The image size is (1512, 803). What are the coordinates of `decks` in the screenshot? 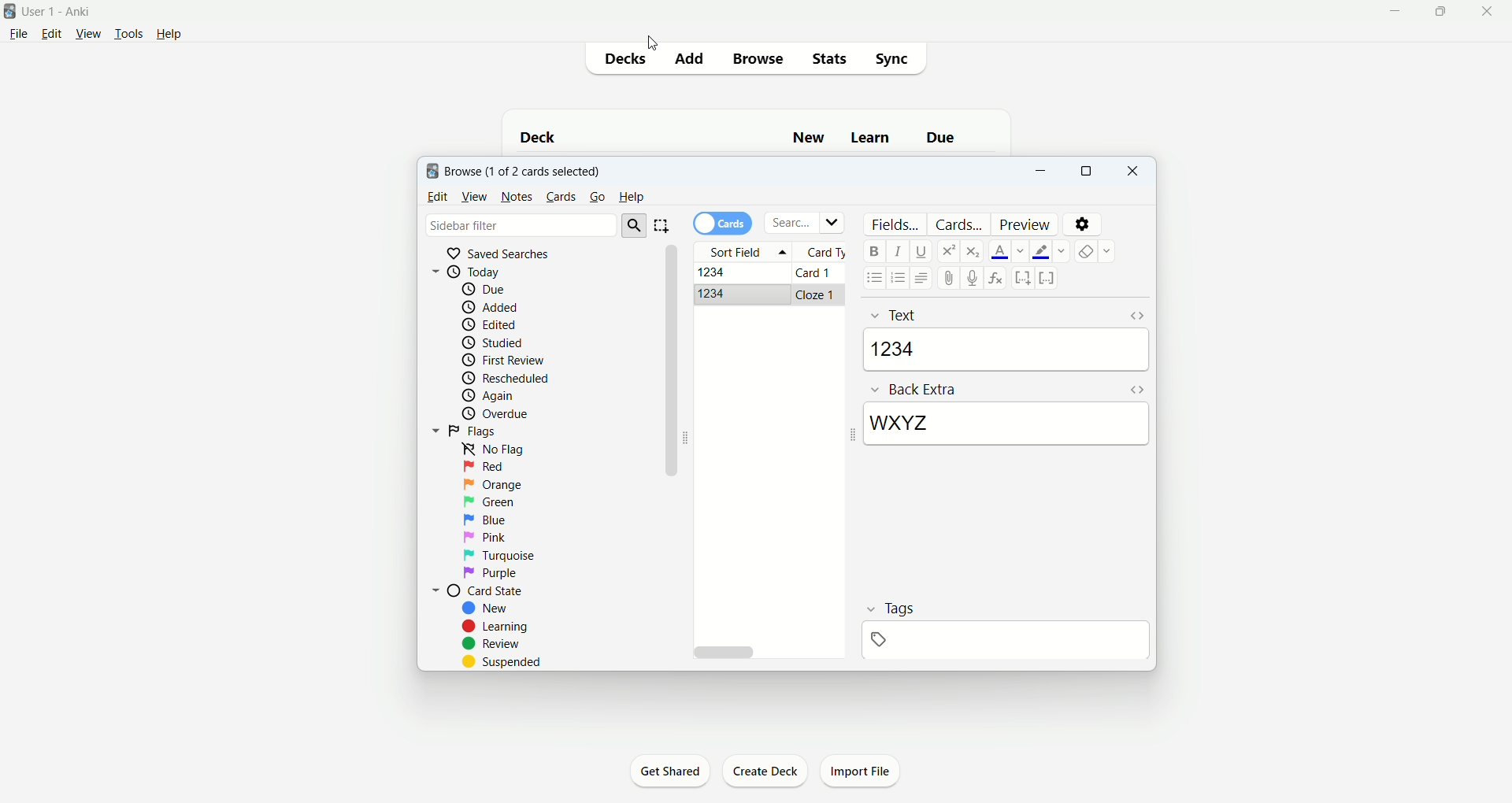 It's located at (630, 60).